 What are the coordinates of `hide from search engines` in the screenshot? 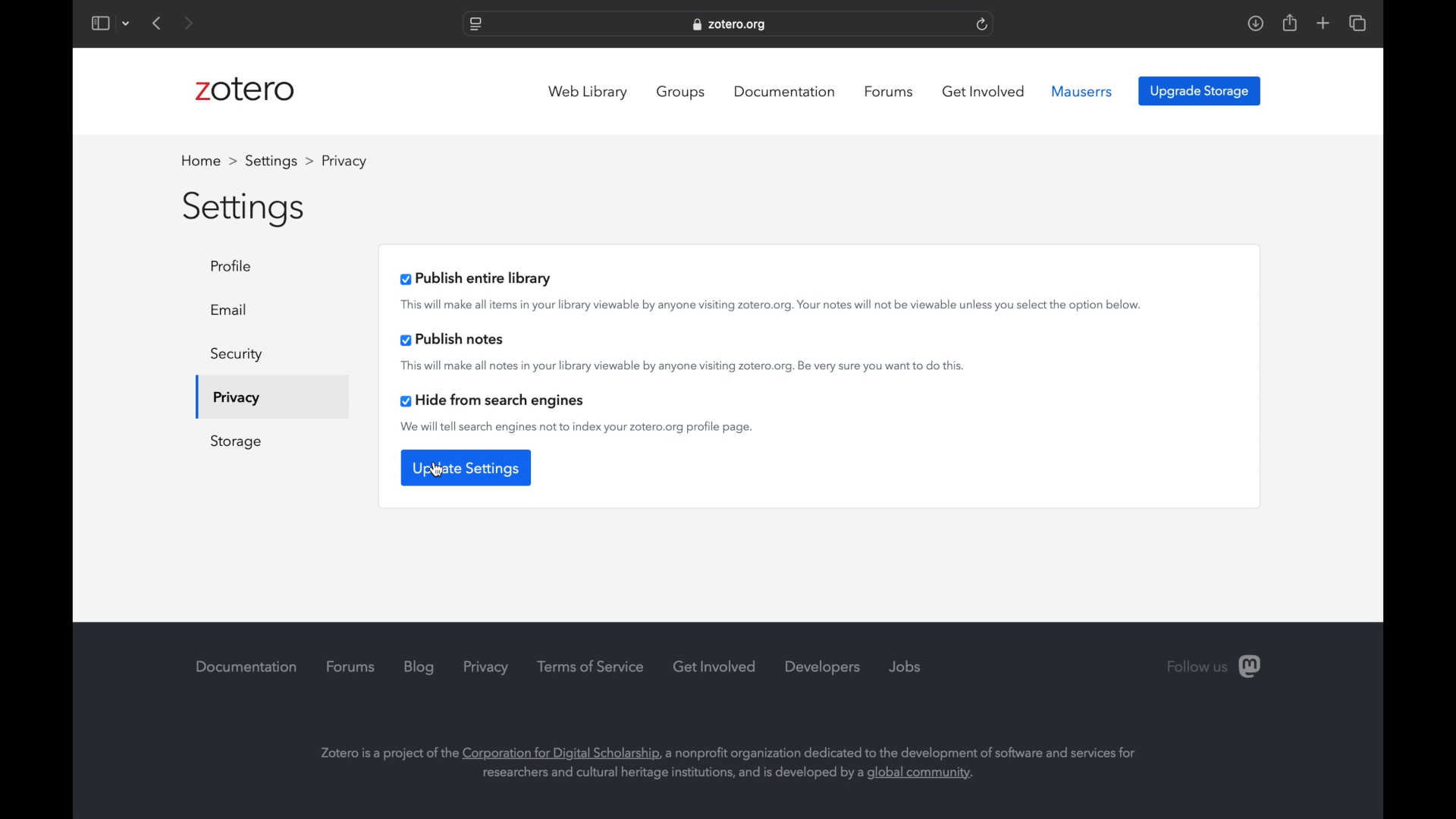 It's located at (495, 401).